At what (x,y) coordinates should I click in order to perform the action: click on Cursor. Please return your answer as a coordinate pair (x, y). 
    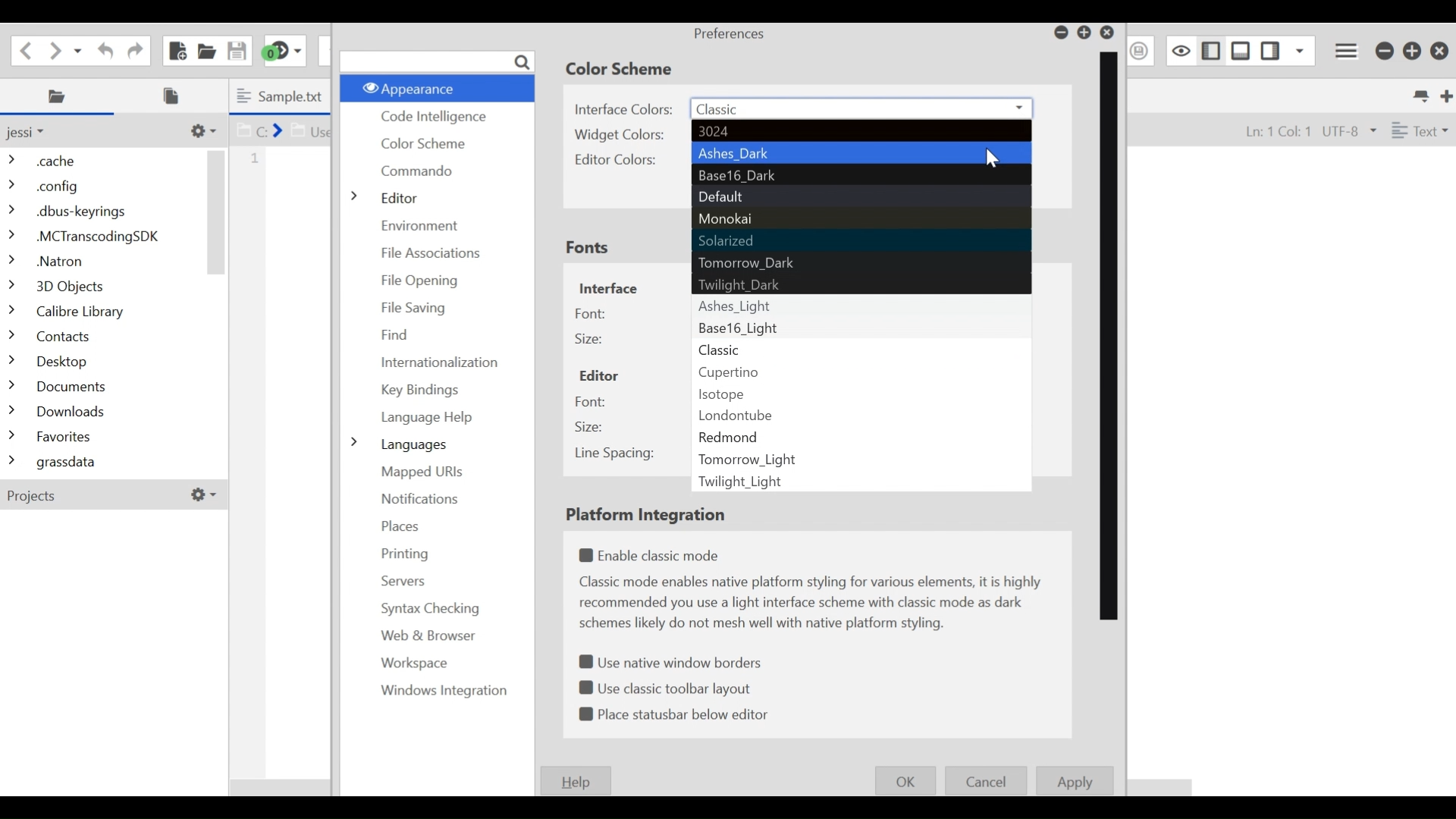
    Looking at the image, I should click on (999, 162).